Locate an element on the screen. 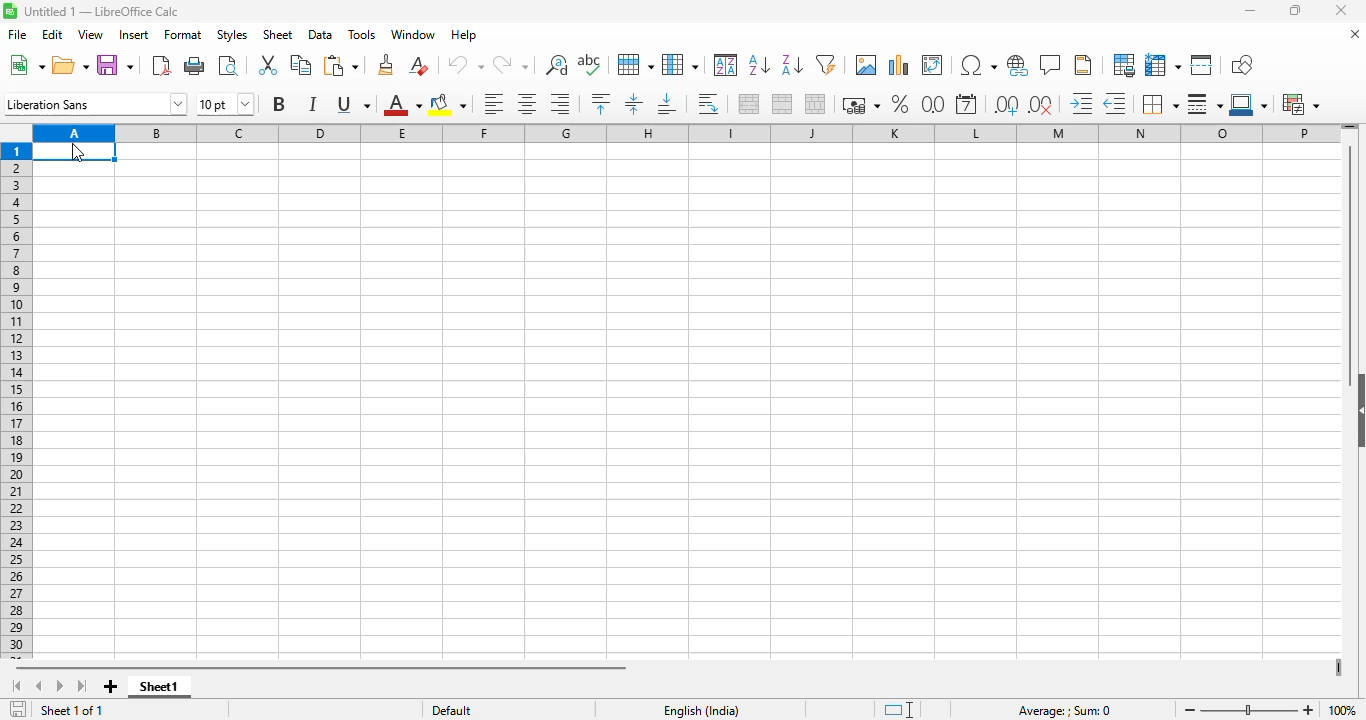  font size is located at coordinates (224, 103).